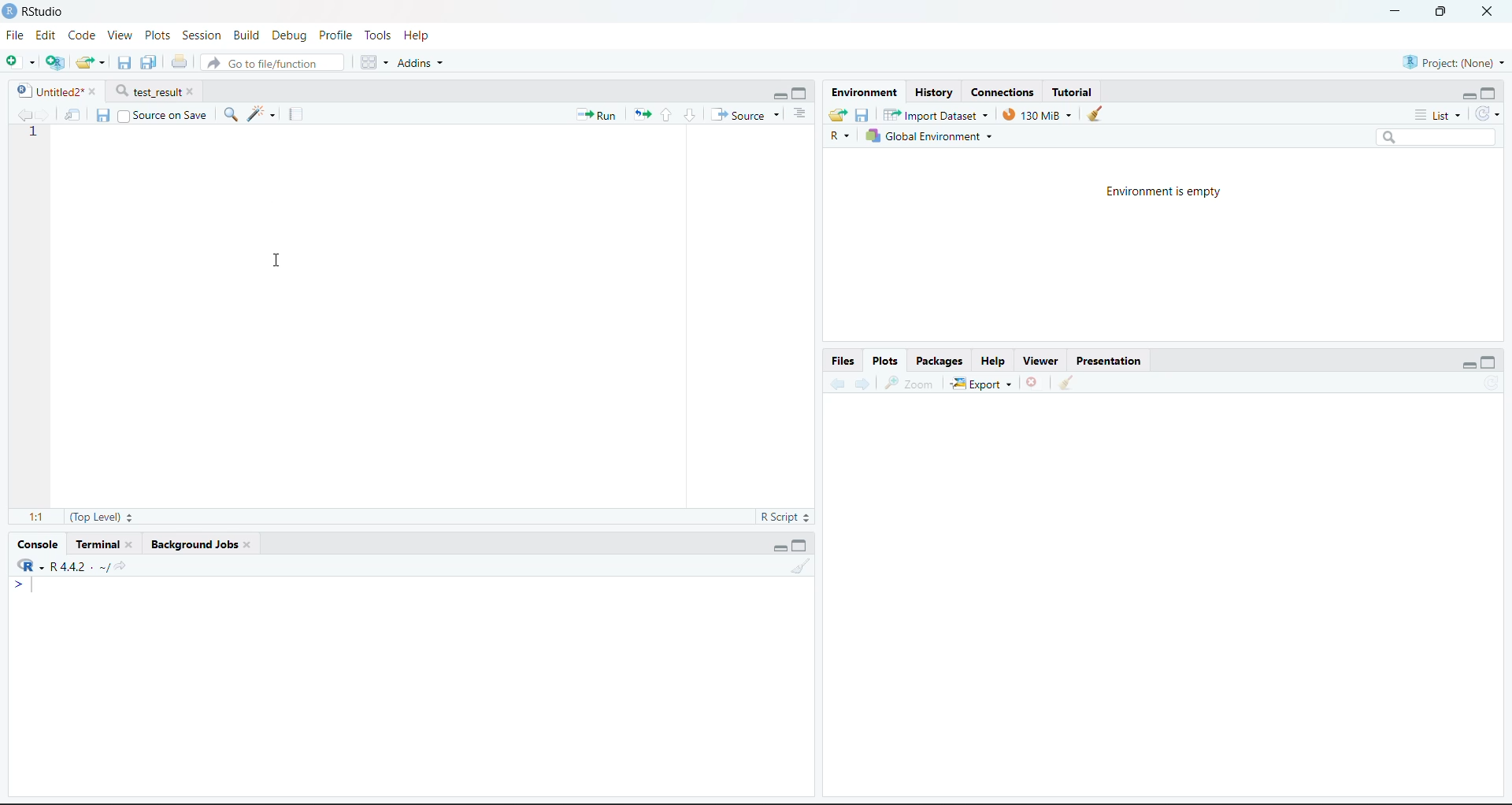 This screenshot has width=1512, height=805. I want to click on Re-run the previous code region (Ctrl + Alt + P), so click(641, 116).